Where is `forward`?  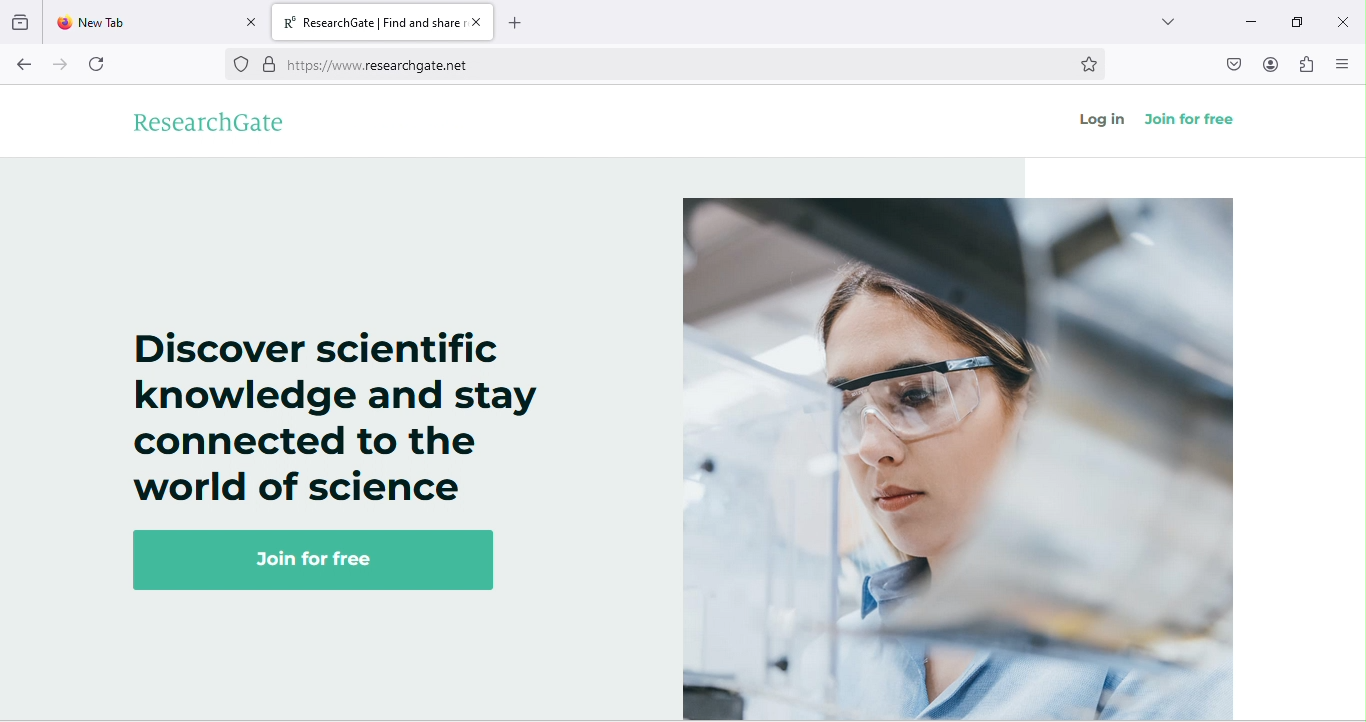
forward is located at coordinates (59, 66).